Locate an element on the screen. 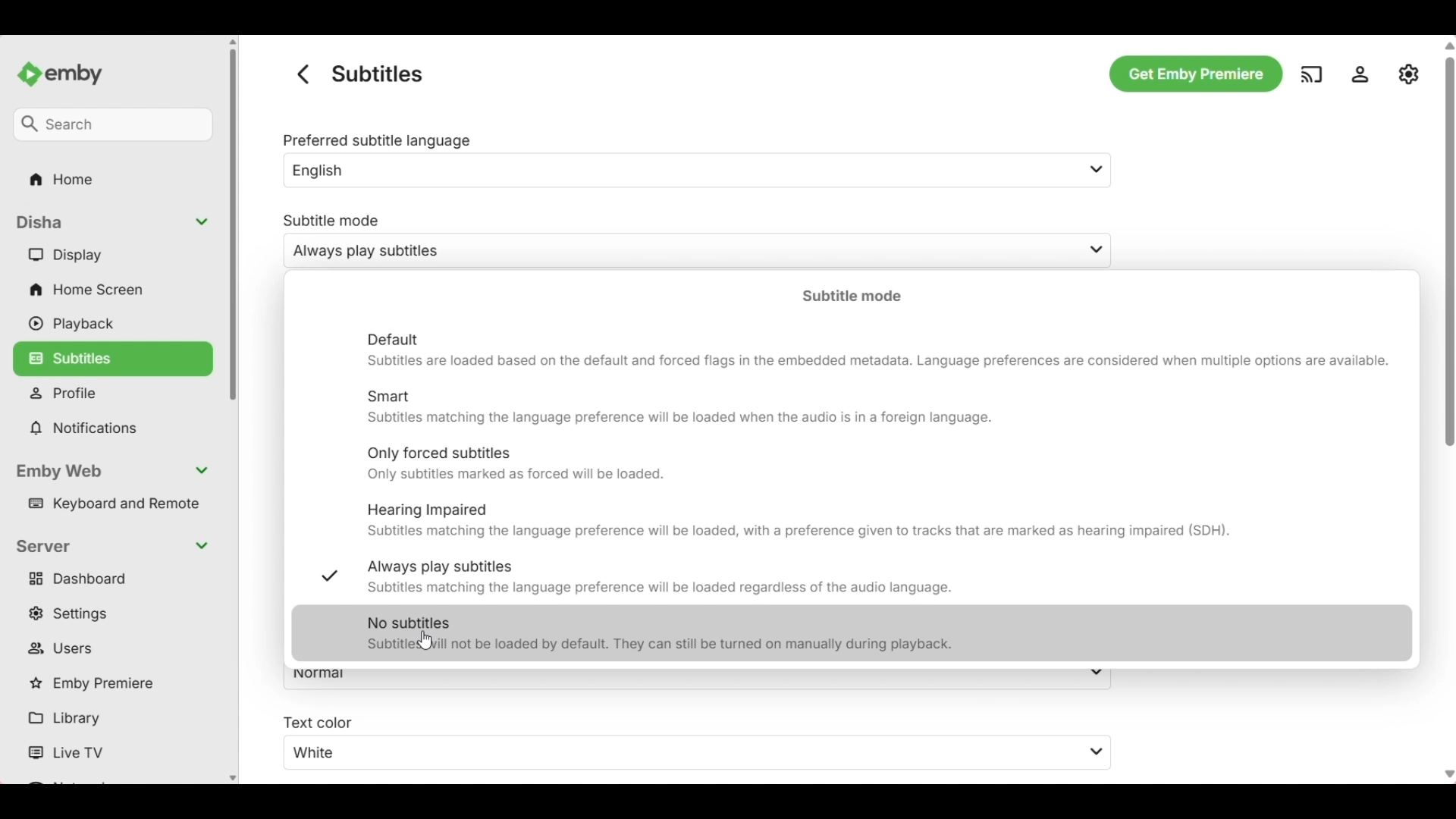 This screenshot has height=819, width=1456.  is located at coordinates (1444, 382).